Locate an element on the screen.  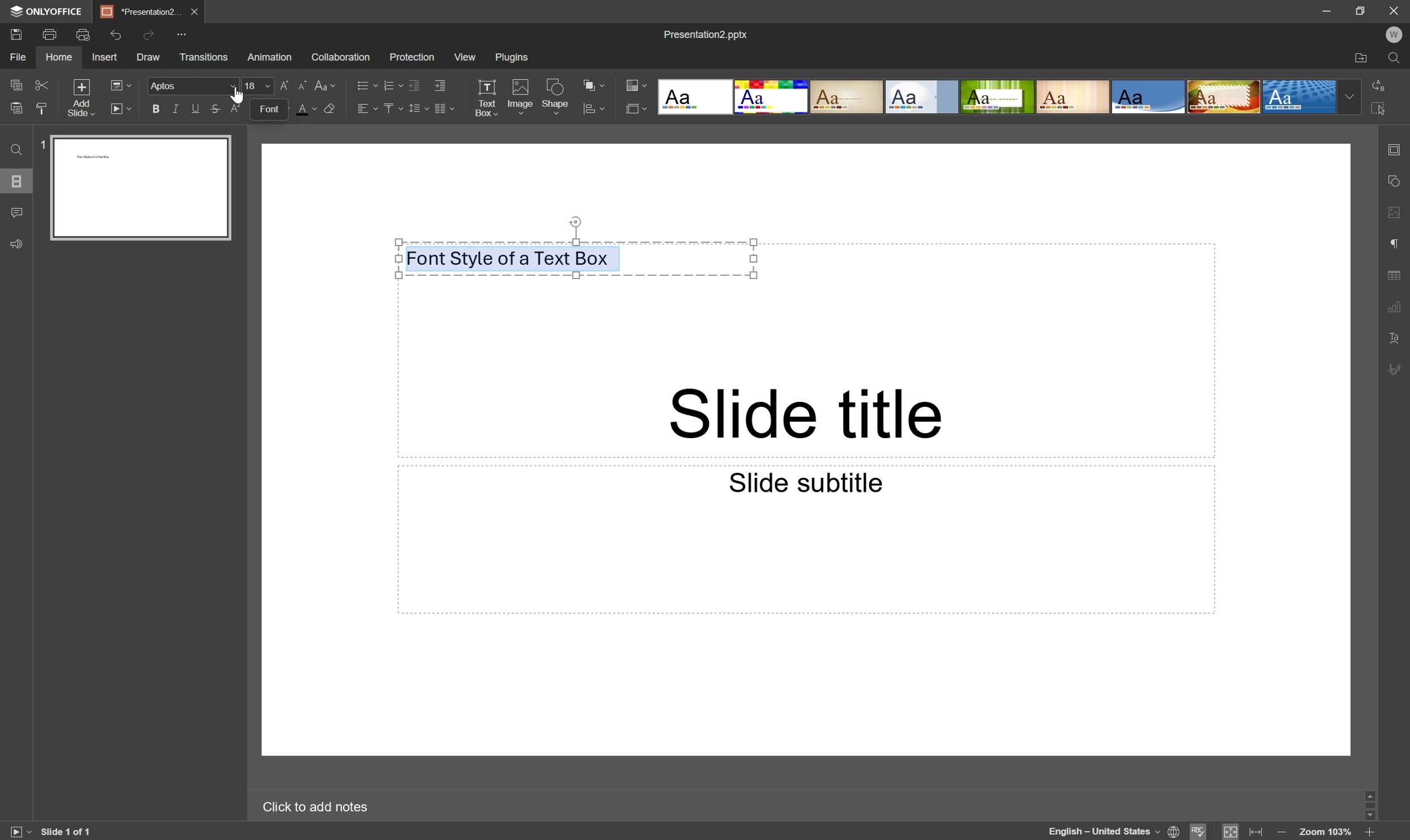
Add slide is located at coordinates (81, 96).